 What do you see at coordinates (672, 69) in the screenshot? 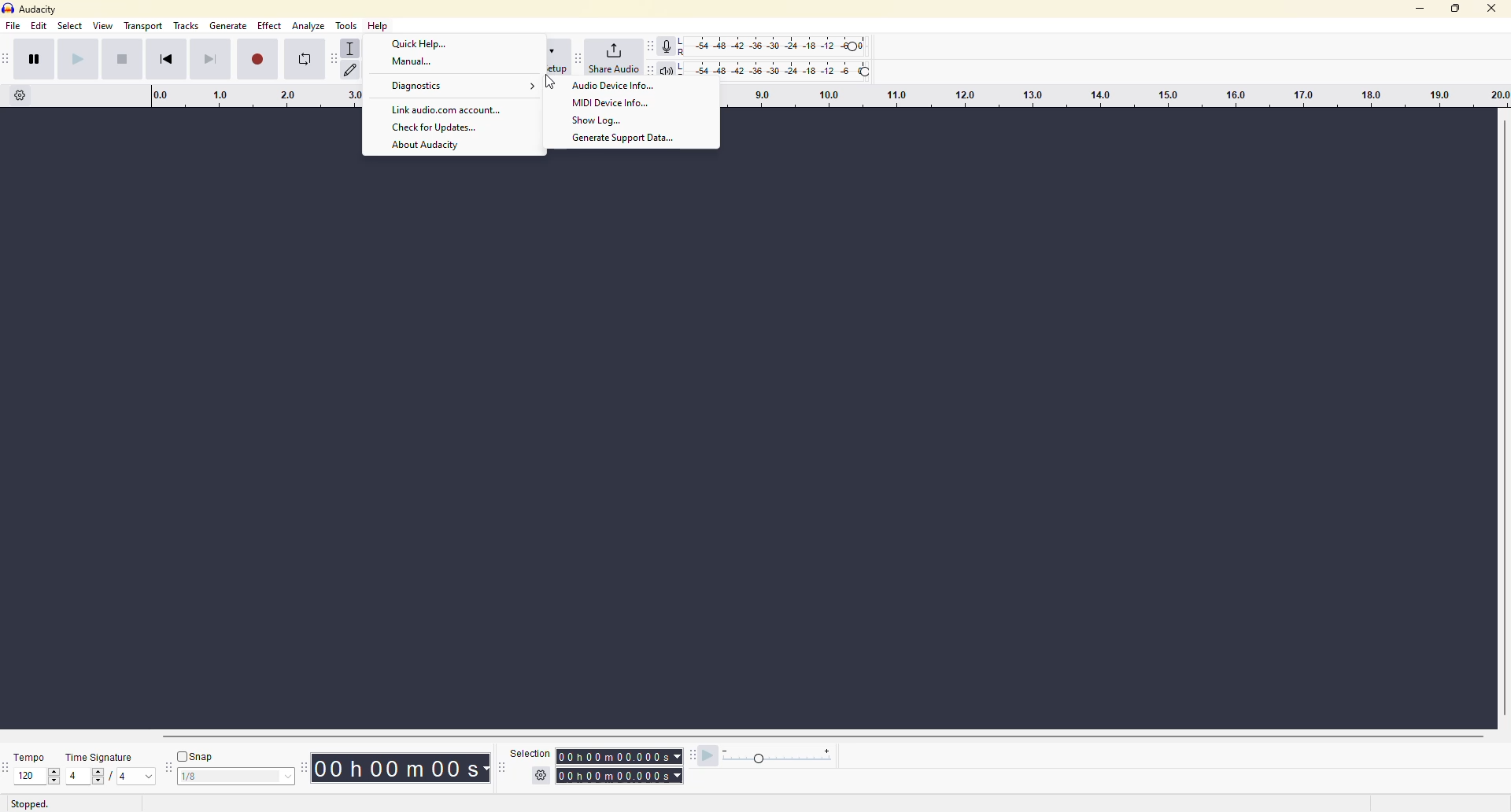
I see `playback meter` at bounding box center [672, 69].